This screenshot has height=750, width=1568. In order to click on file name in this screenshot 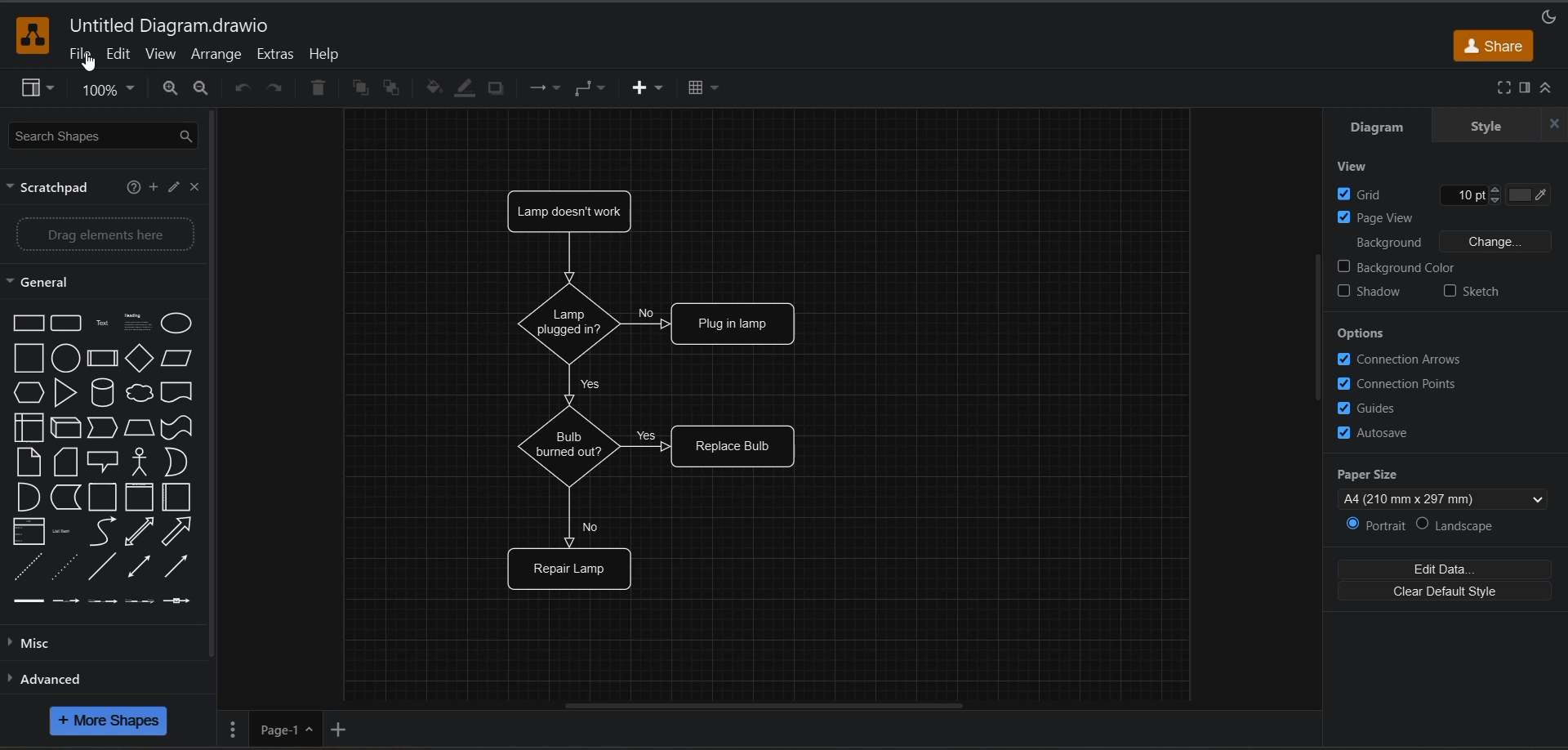, I will do `click(171, 27)`.